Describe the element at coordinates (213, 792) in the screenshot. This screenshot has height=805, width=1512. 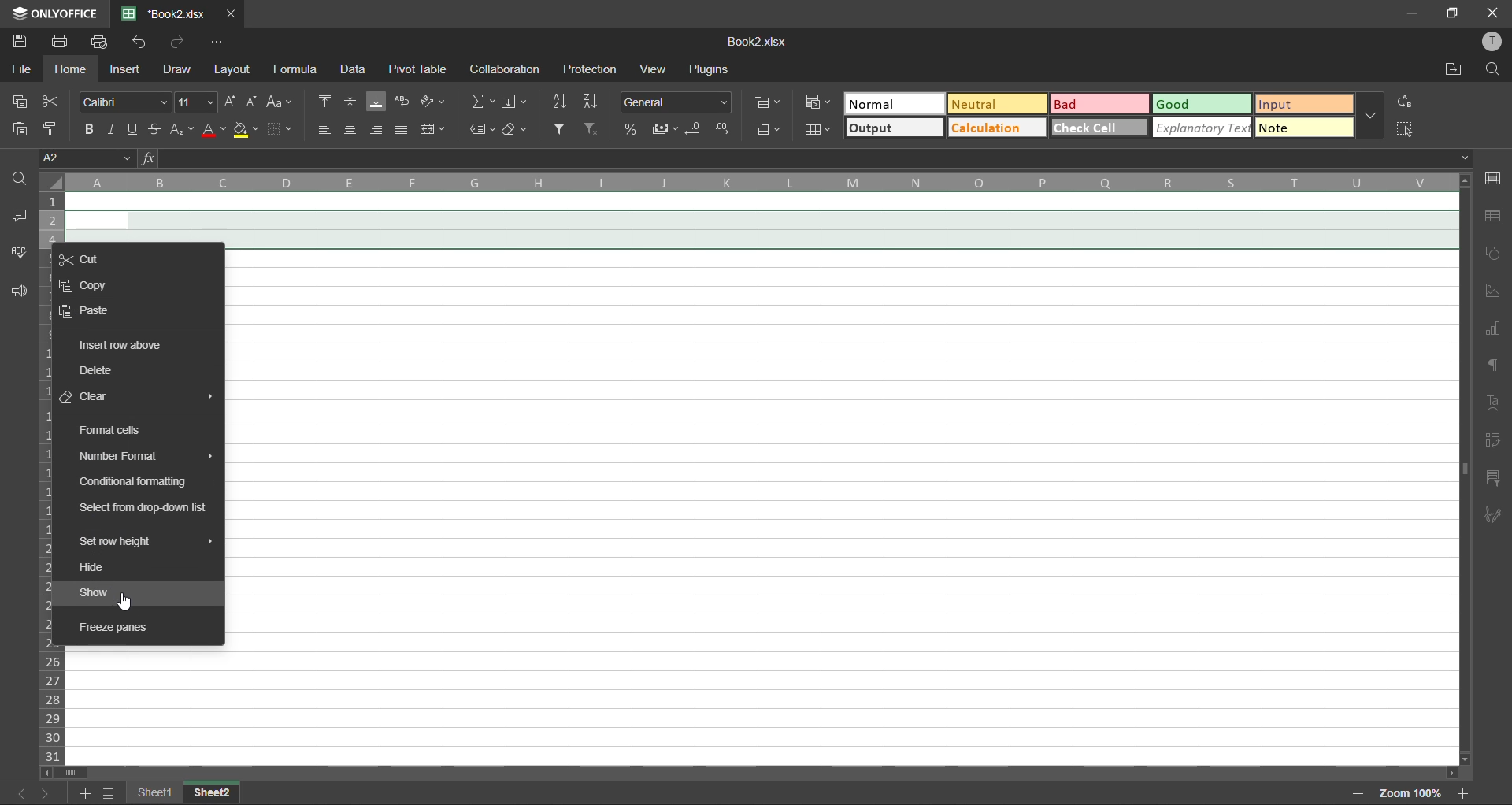
I see `sheet 13` at that location.